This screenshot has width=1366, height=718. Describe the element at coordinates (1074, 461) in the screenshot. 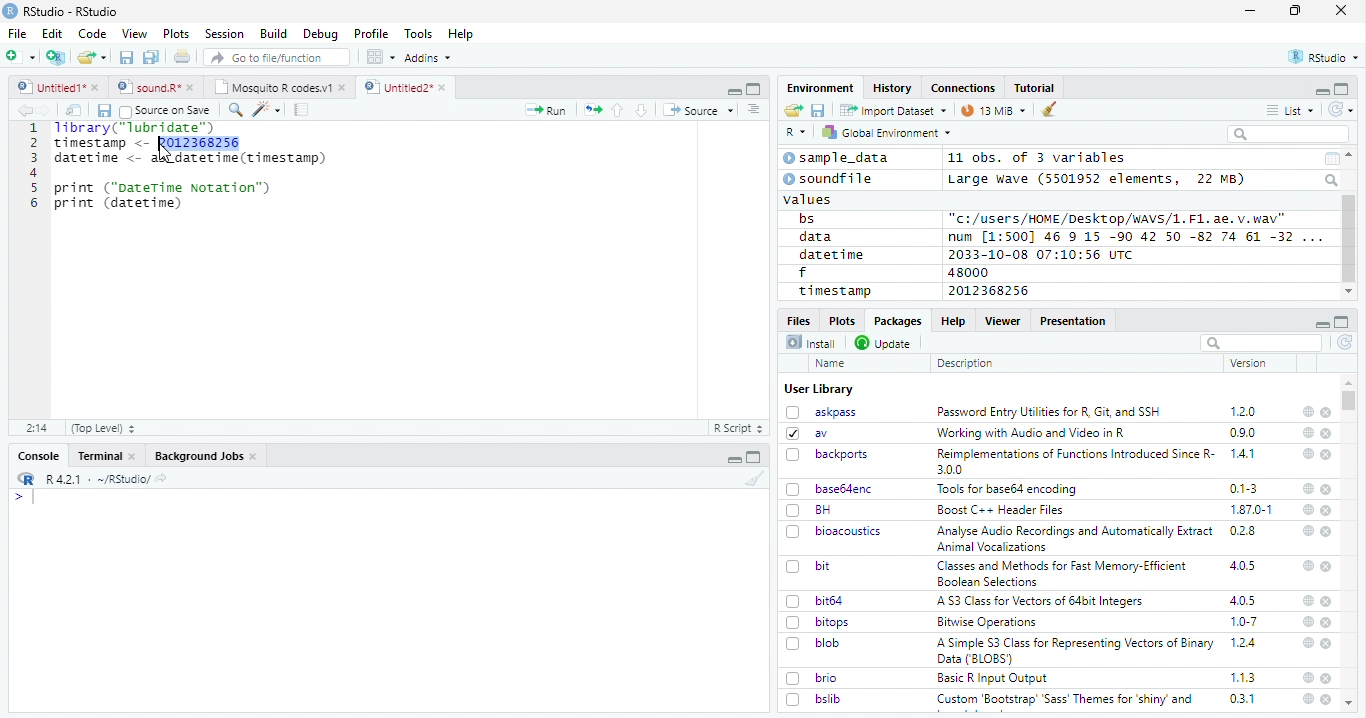

I see `Reimplementations of Functions Introduced Since R-
300` at that location.